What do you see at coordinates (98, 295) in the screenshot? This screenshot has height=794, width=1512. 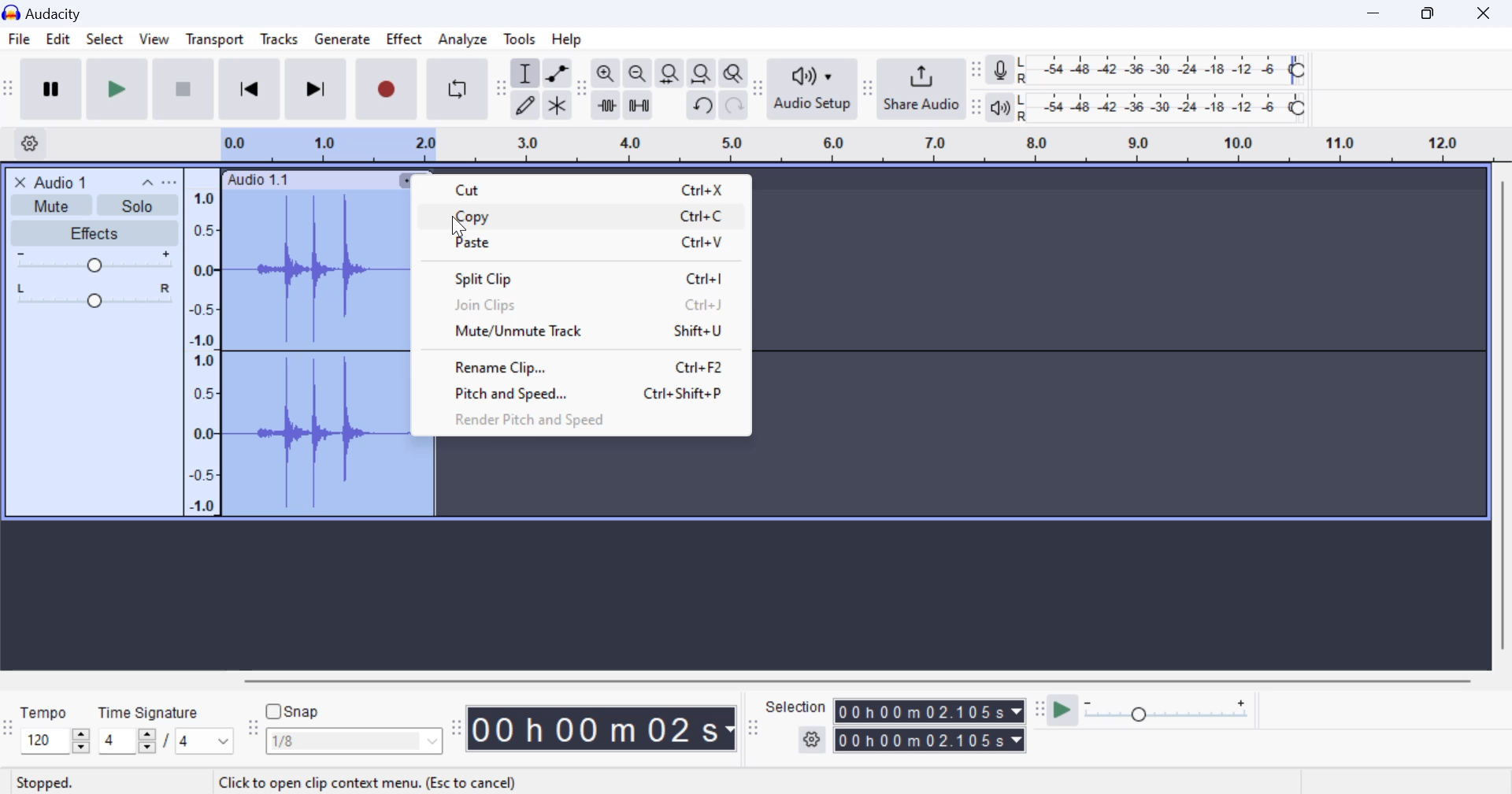 I see `Pan Center` at bounding box center [98, 295].